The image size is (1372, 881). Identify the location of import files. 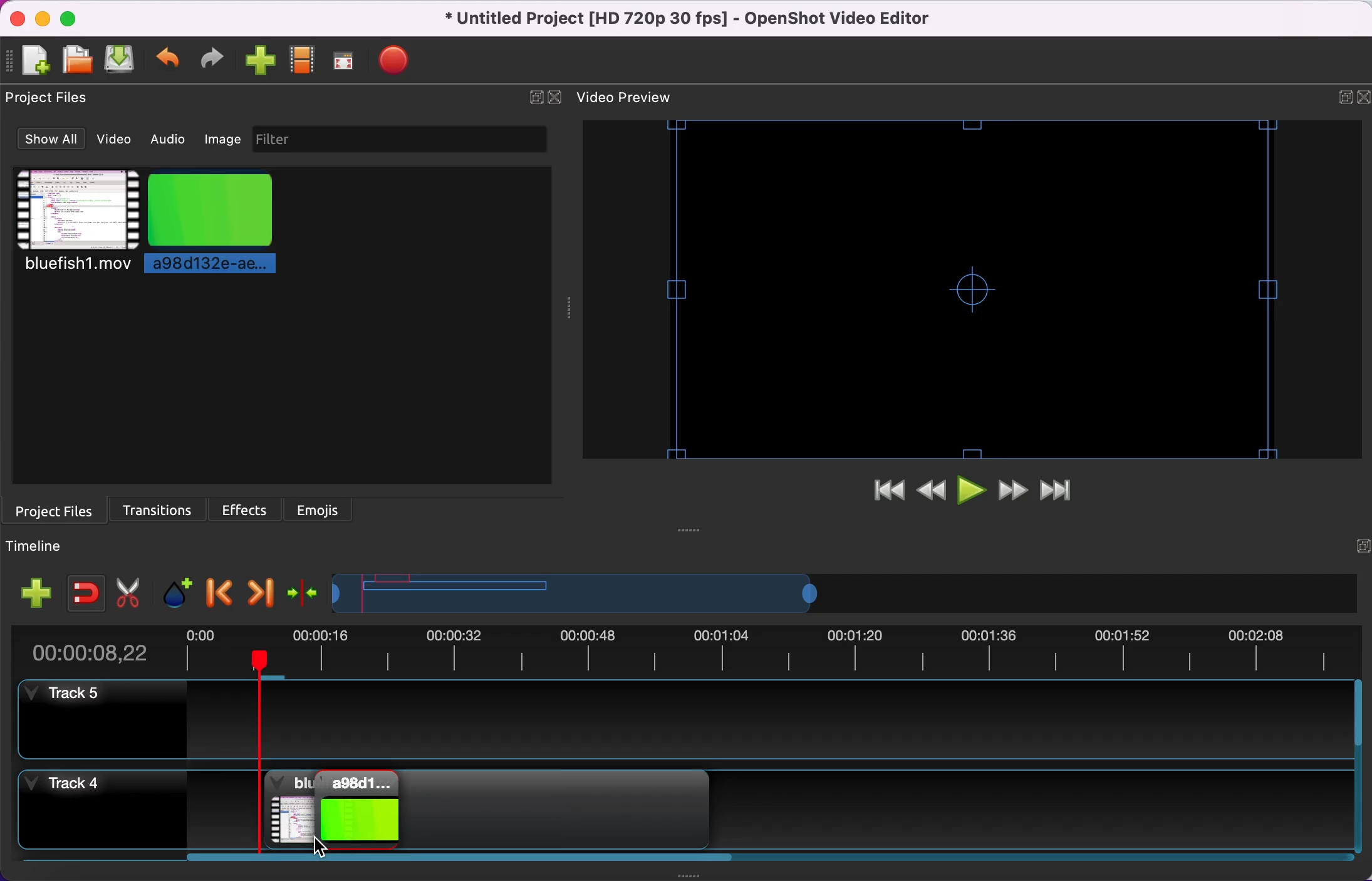
(256, 63).